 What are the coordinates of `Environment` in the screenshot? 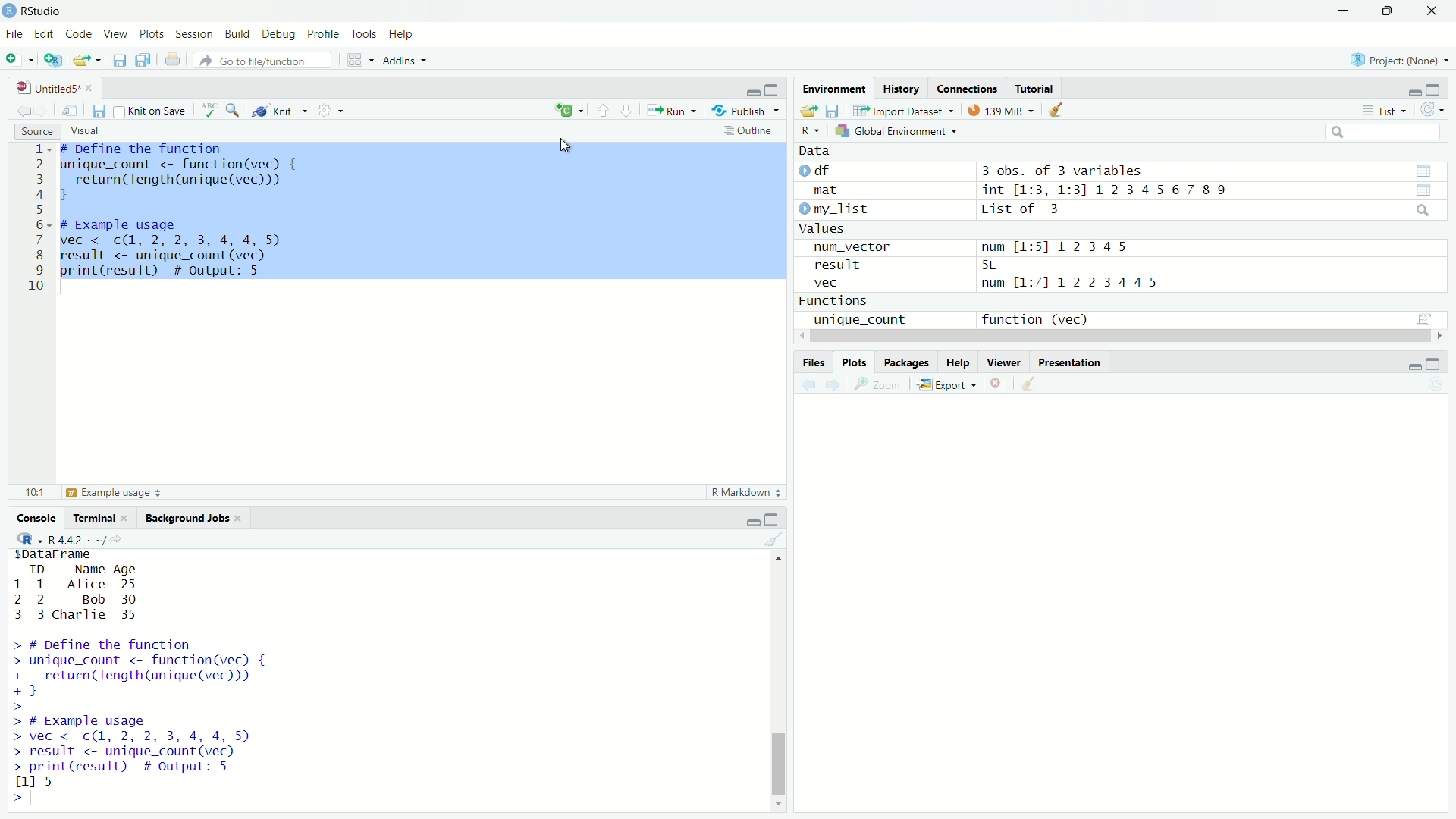 It's located at (835, 89).